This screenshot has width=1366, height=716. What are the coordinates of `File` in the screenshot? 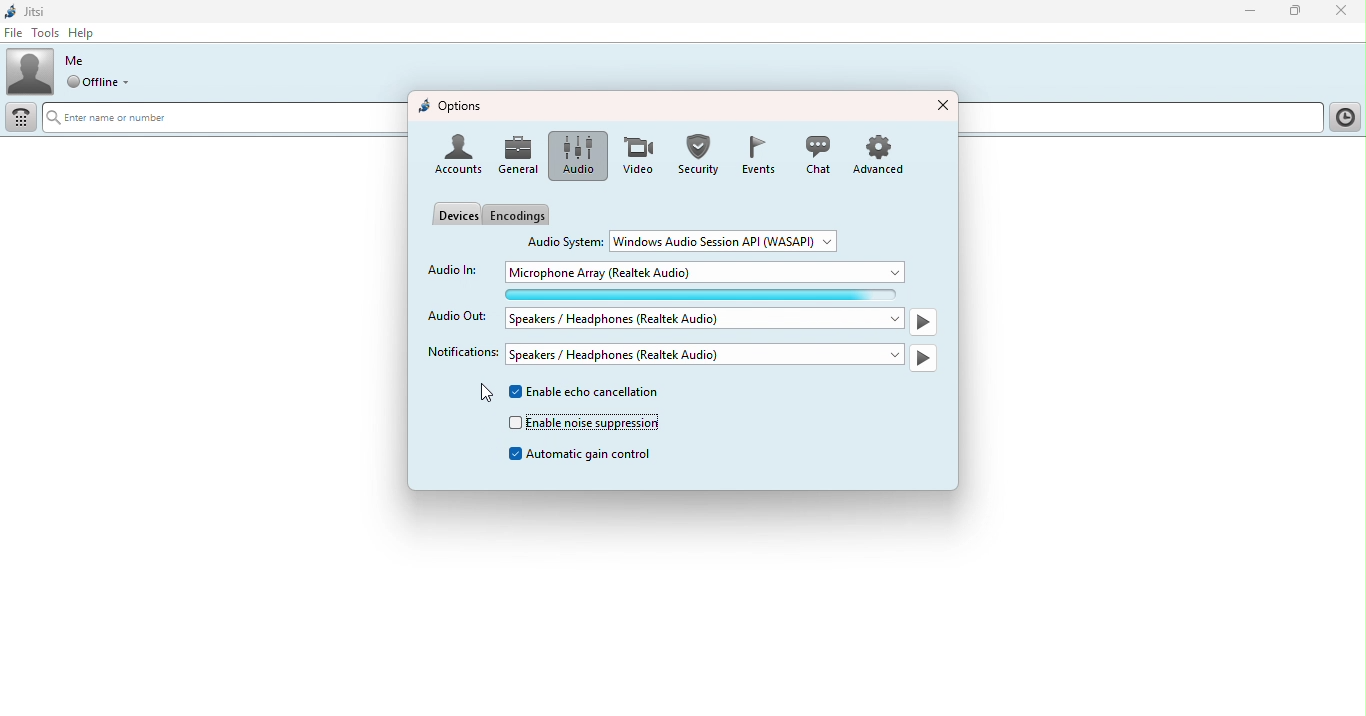 It's located at (14, 33).